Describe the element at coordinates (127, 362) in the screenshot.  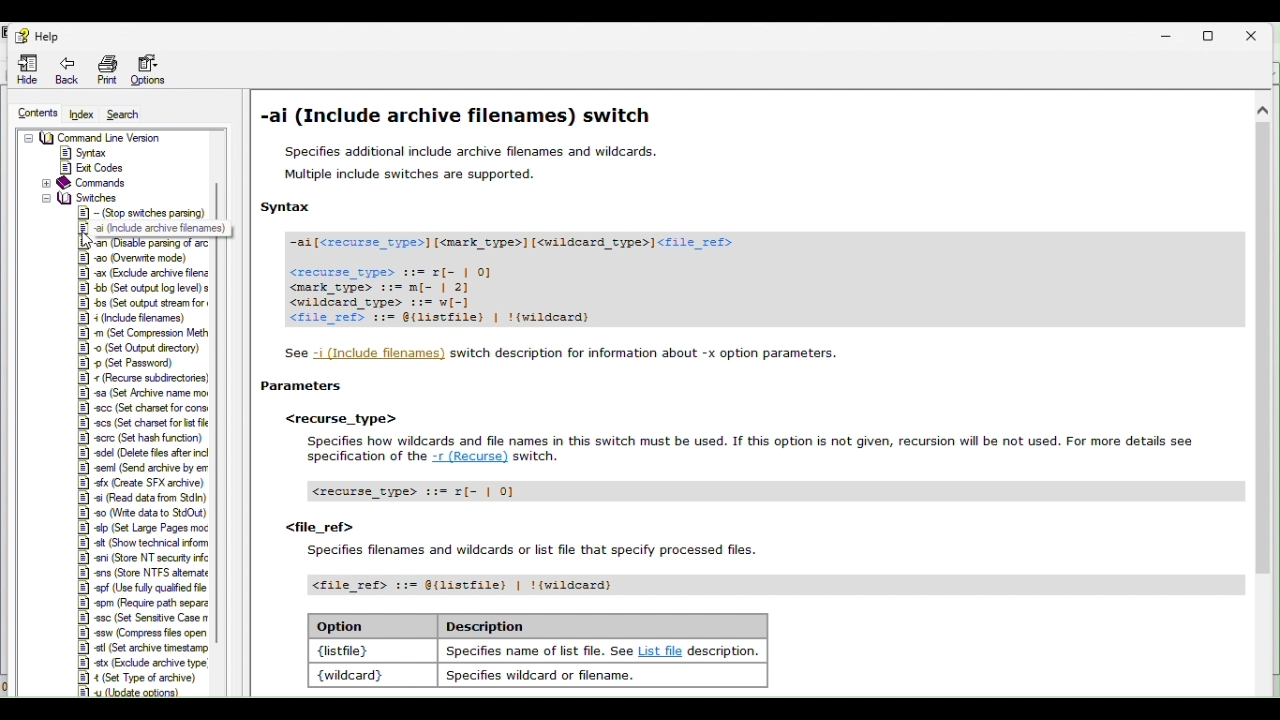
I see `Set Password` at that location.